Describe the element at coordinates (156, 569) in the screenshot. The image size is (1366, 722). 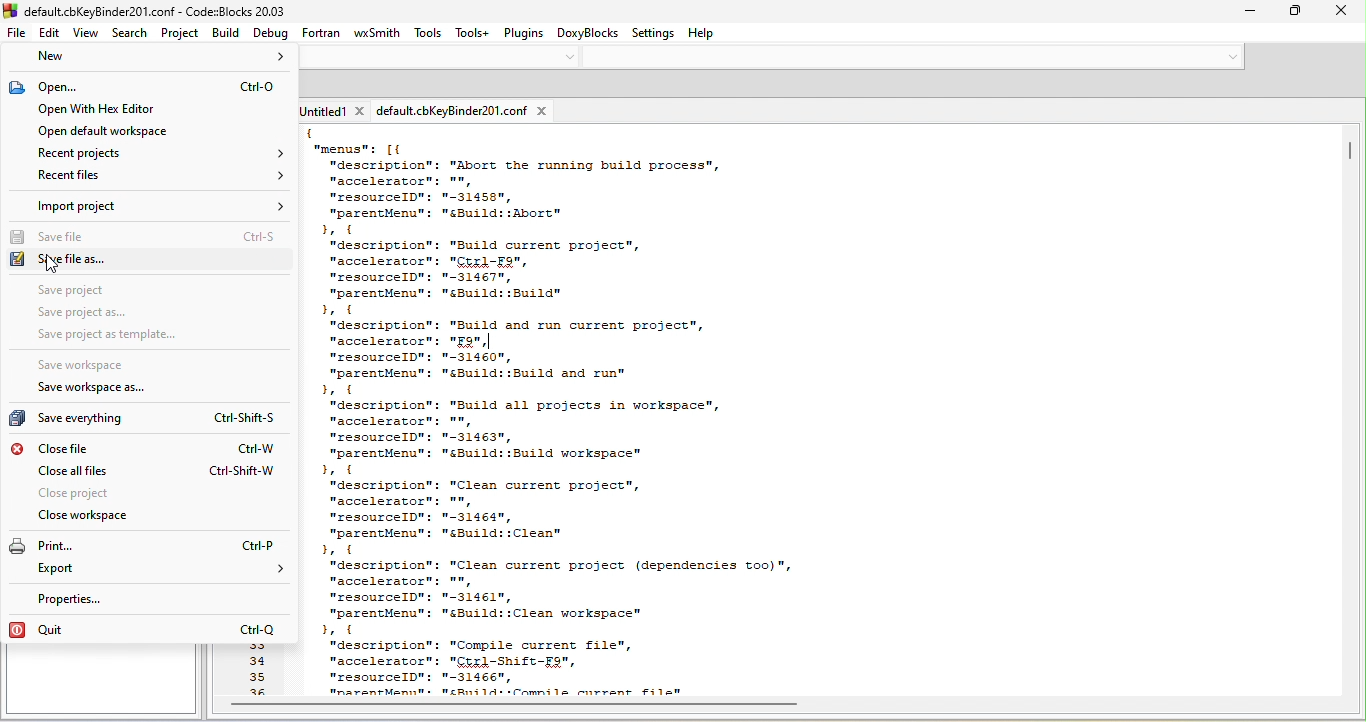
I see `export` at that location.